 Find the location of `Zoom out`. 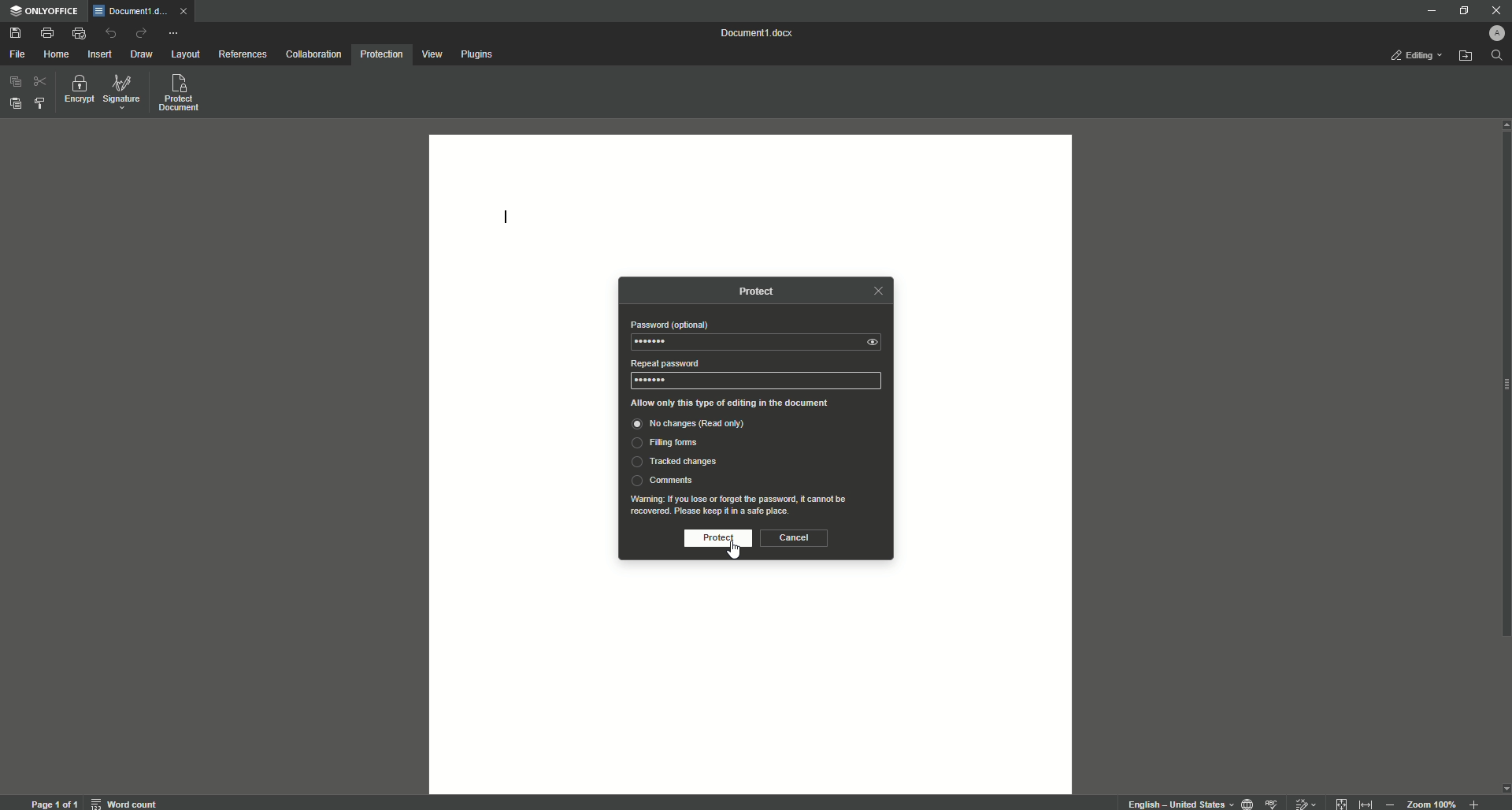

Zoom out is located at coordinates (1389, 801).